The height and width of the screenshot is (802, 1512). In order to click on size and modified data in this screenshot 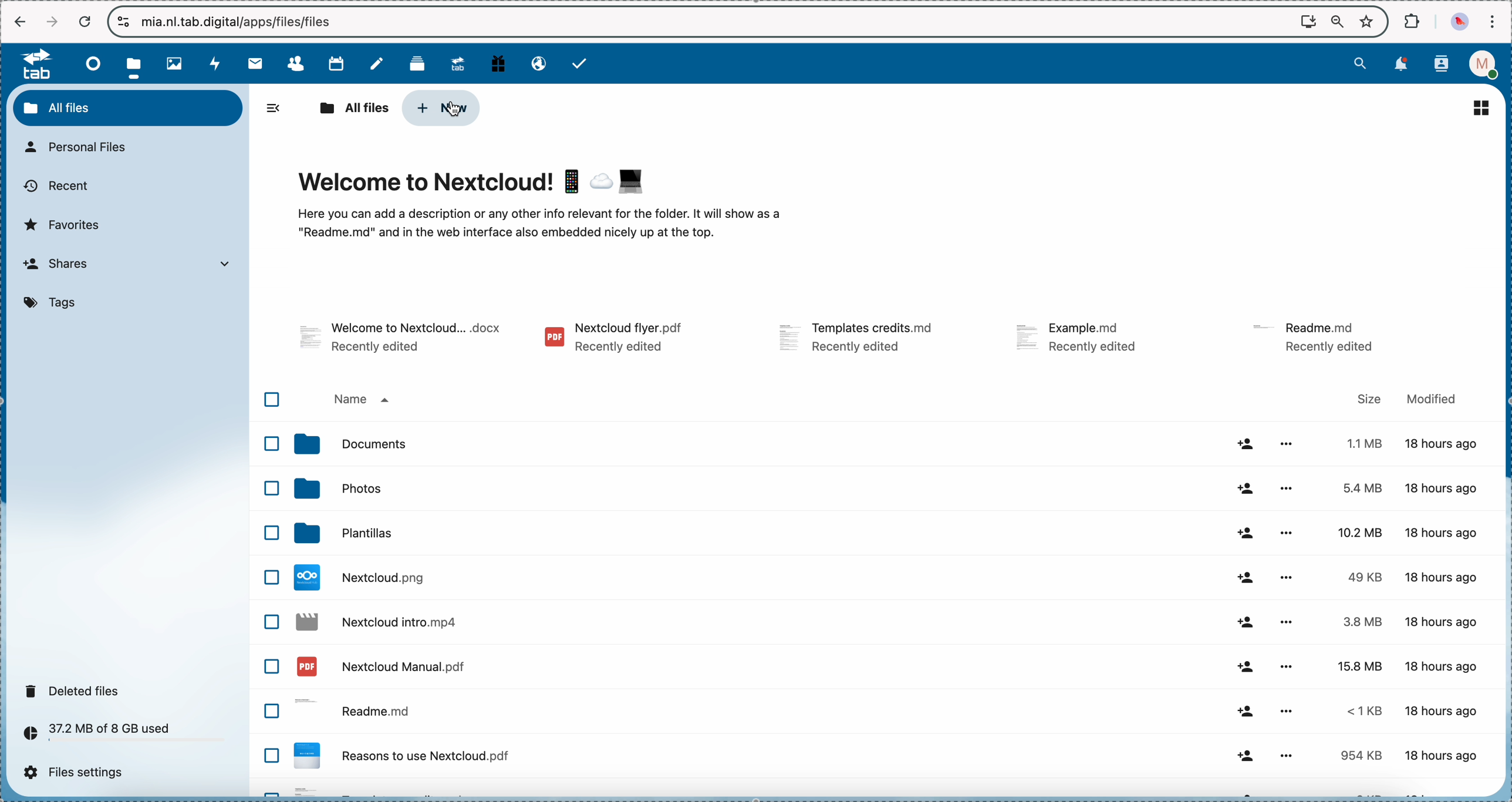, I will do `click(1414, 601)`.